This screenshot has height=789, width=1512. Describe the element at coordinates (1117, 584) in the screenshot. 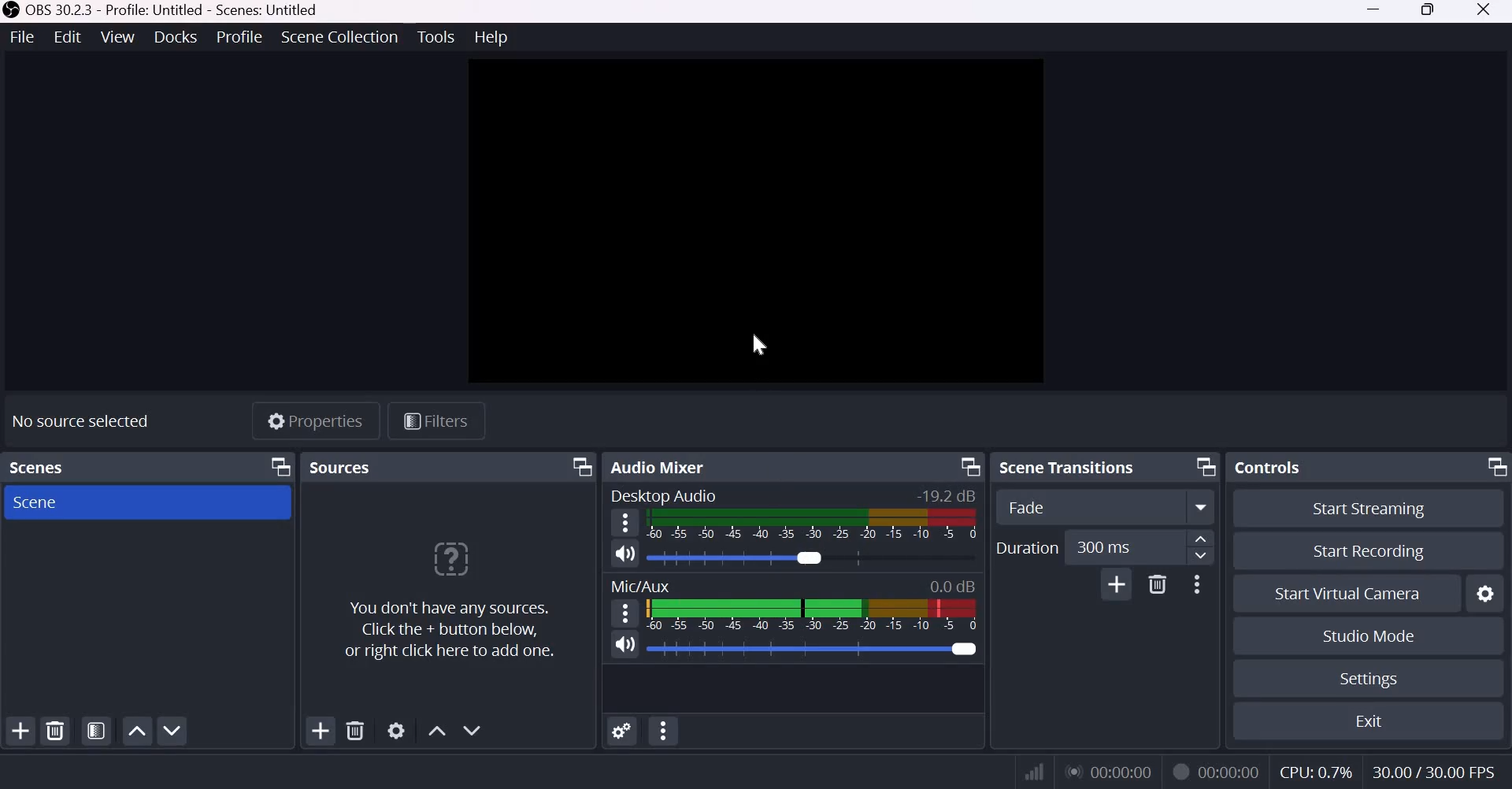

I see `Add Transition` at that location.